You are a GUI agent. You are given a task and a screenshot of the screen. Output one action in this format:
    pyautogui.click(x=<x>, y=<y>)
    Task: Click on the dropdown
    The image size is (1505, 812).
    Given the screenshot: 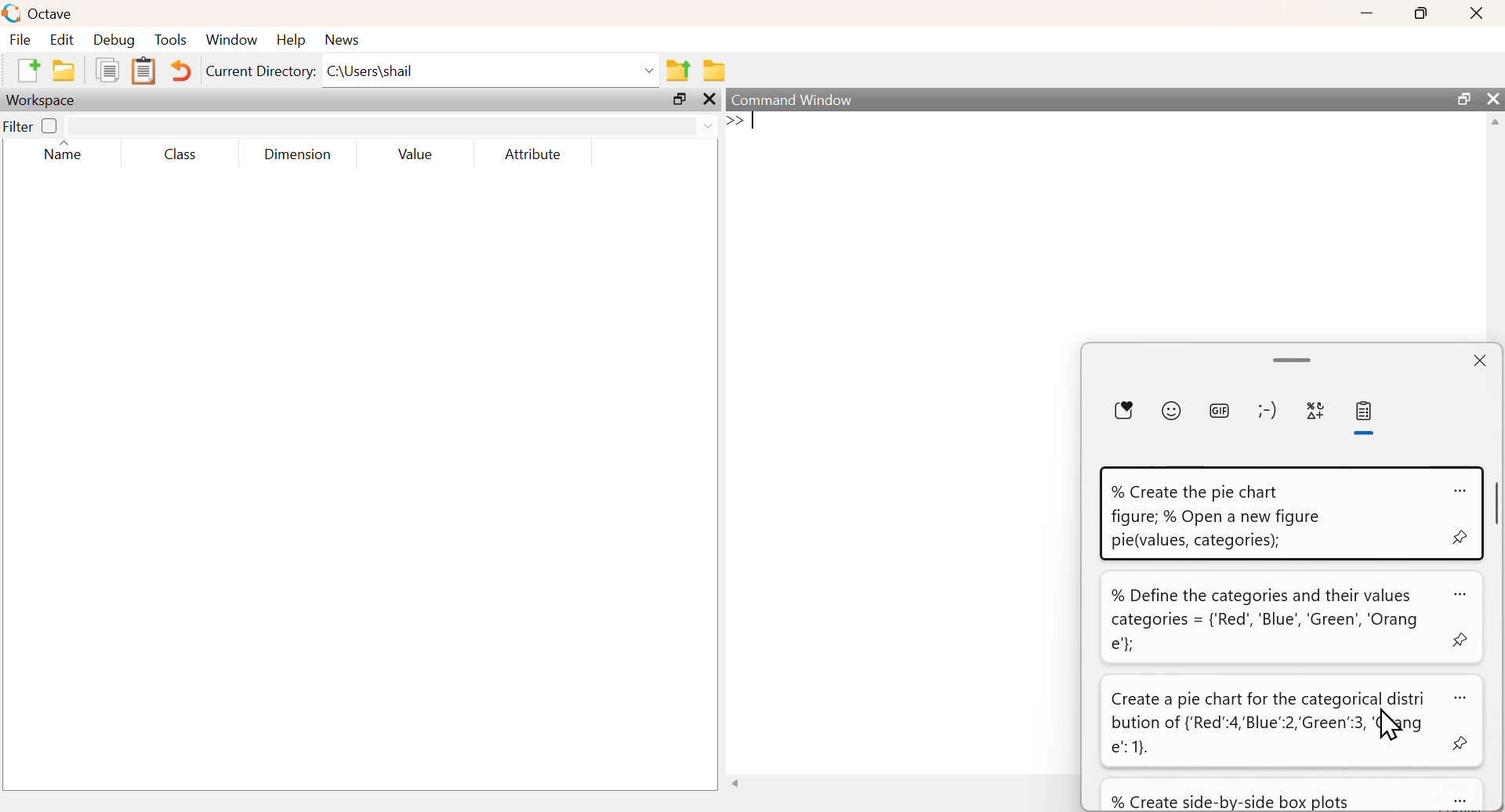 What is the action you would take?
    pyautogui.click(x=706, y=125)
    